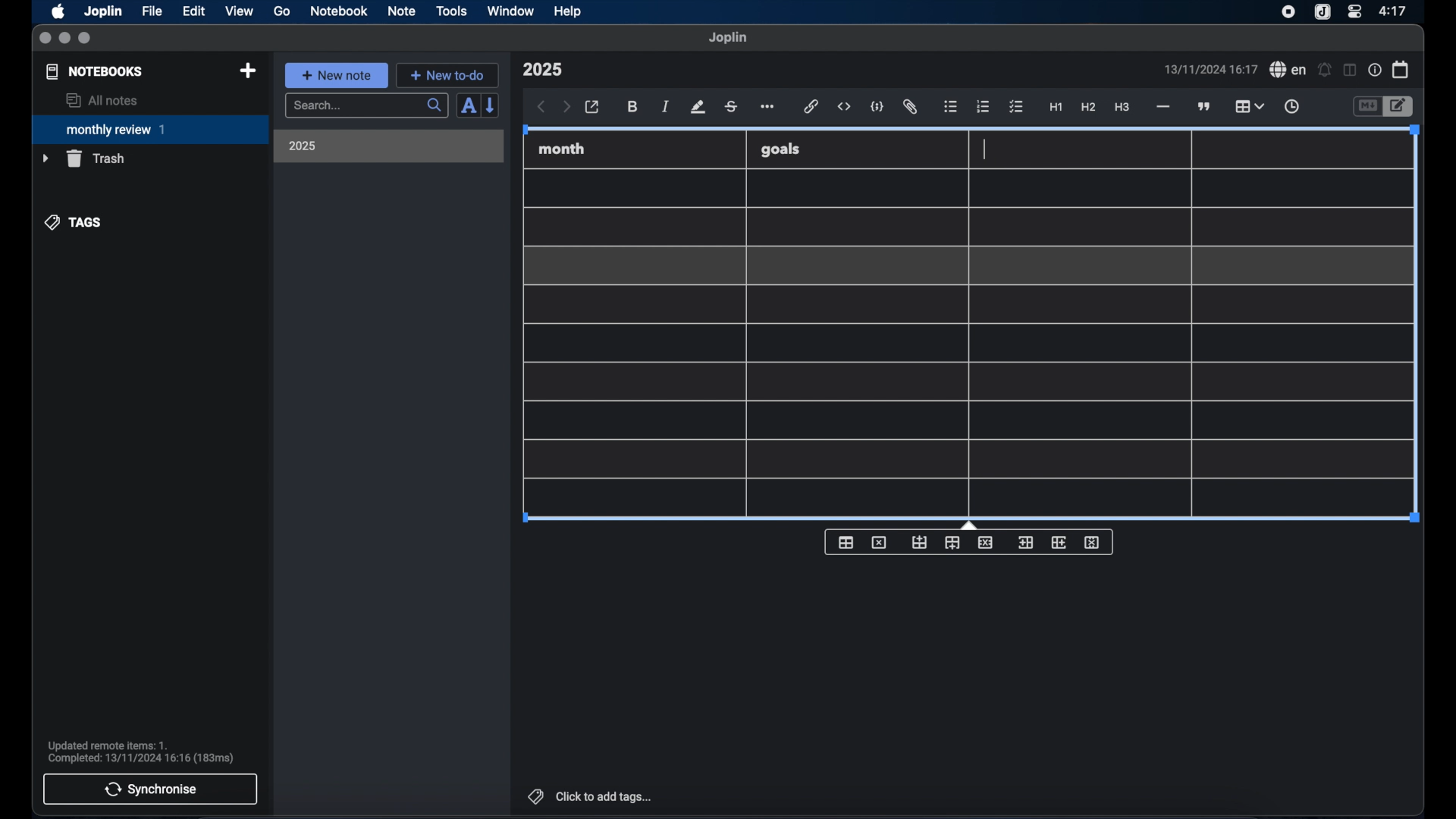 This screenshot has width=1456, height=819. Describe the element at coordinates (910, 107) in the screenshot. I see `attach file` at that location.